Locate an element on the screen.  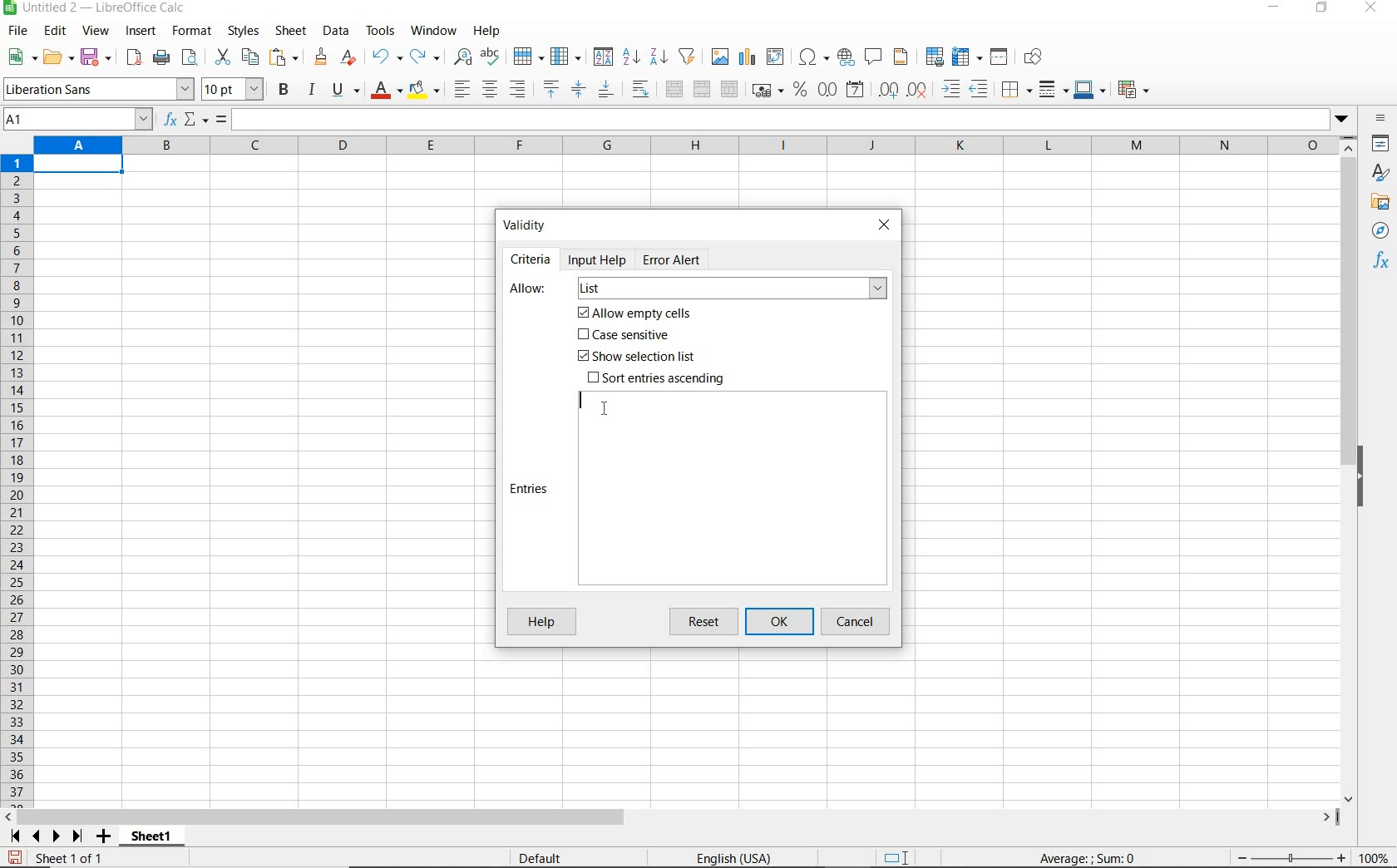
Criteria is located at coordinates (531, 259).